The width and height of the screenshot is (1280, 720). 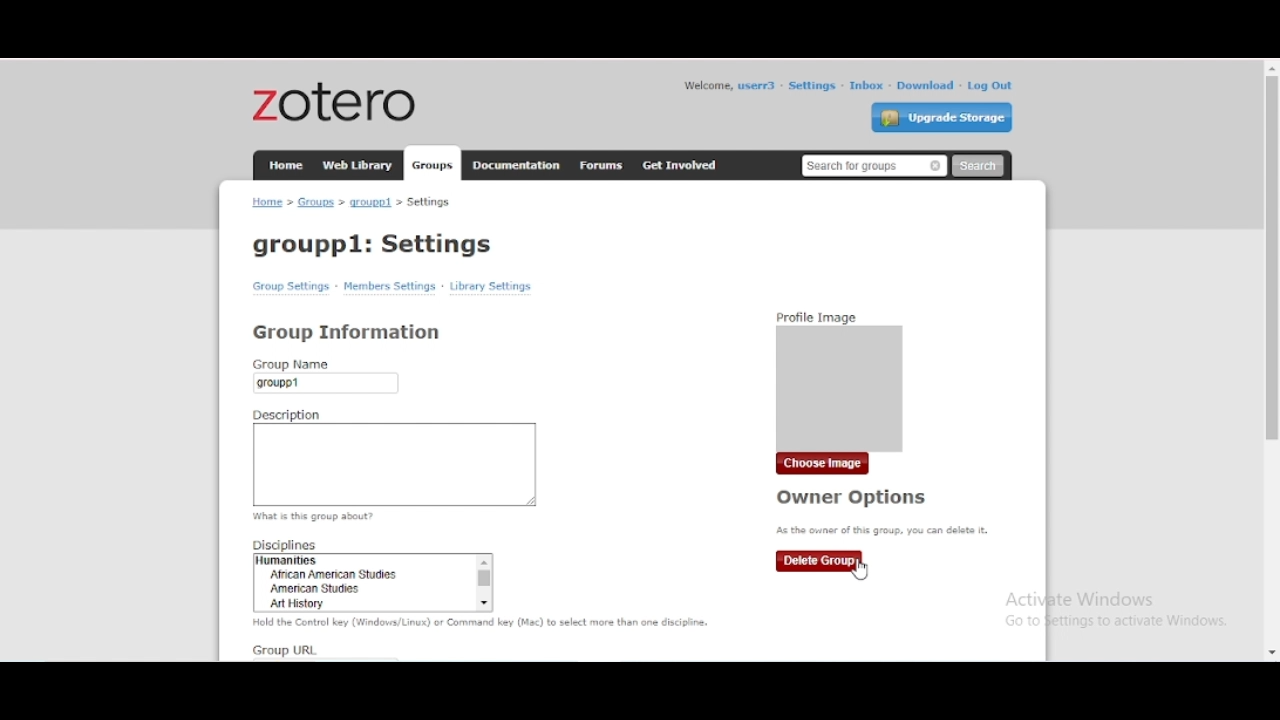 What do you see at coordinates (926, 86) in the screenshot?
I see `download` at bounding box center [926, 86].